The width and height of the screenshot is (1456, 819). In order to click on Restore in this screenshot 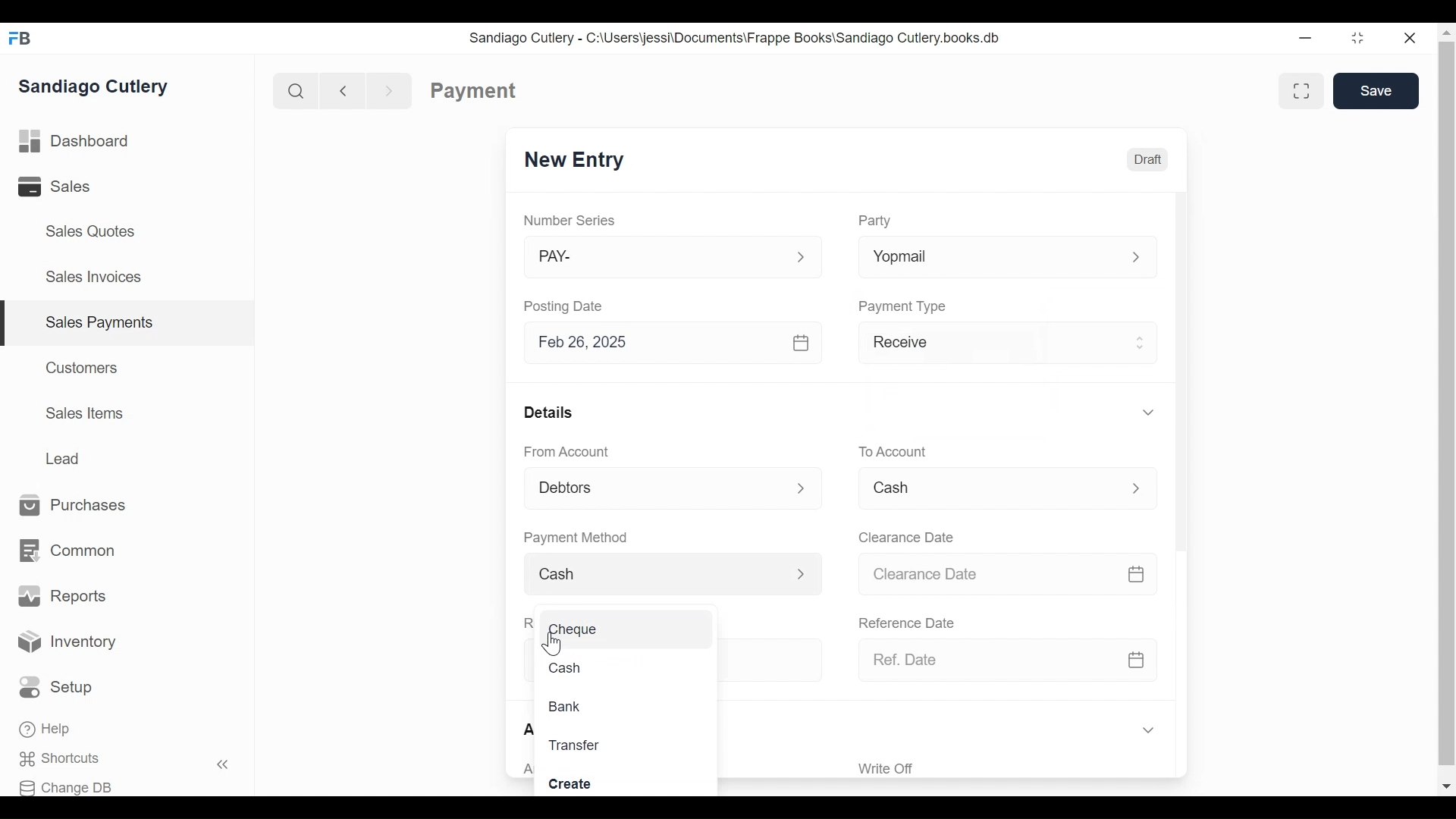, I will do `click(1360, 39)`.